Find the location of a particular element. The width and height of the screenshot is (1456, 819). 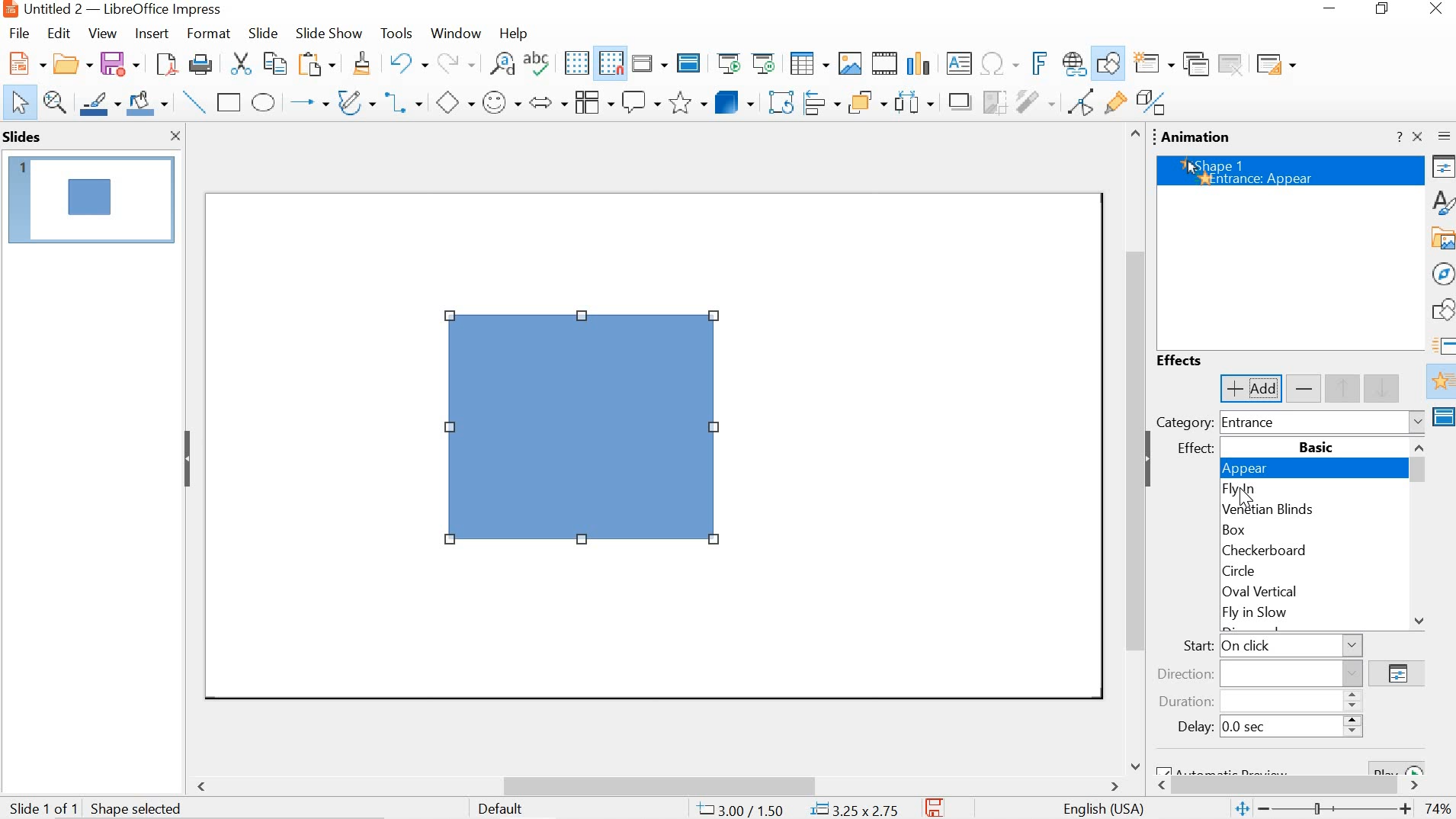

slide 1 of 1 is located at coordinates (97, 806).